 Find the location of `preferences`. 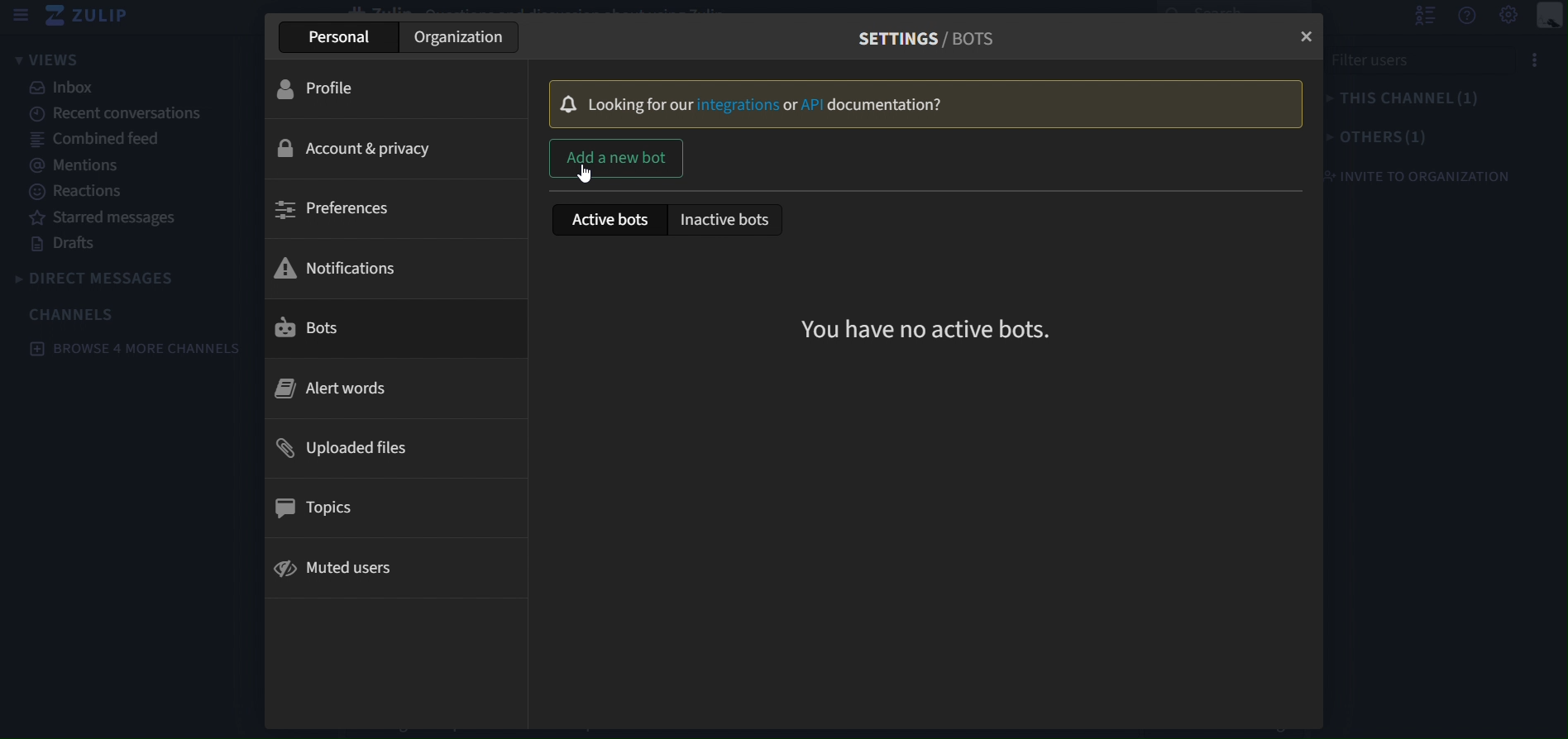

preferences is located at coordinates (389, 207).